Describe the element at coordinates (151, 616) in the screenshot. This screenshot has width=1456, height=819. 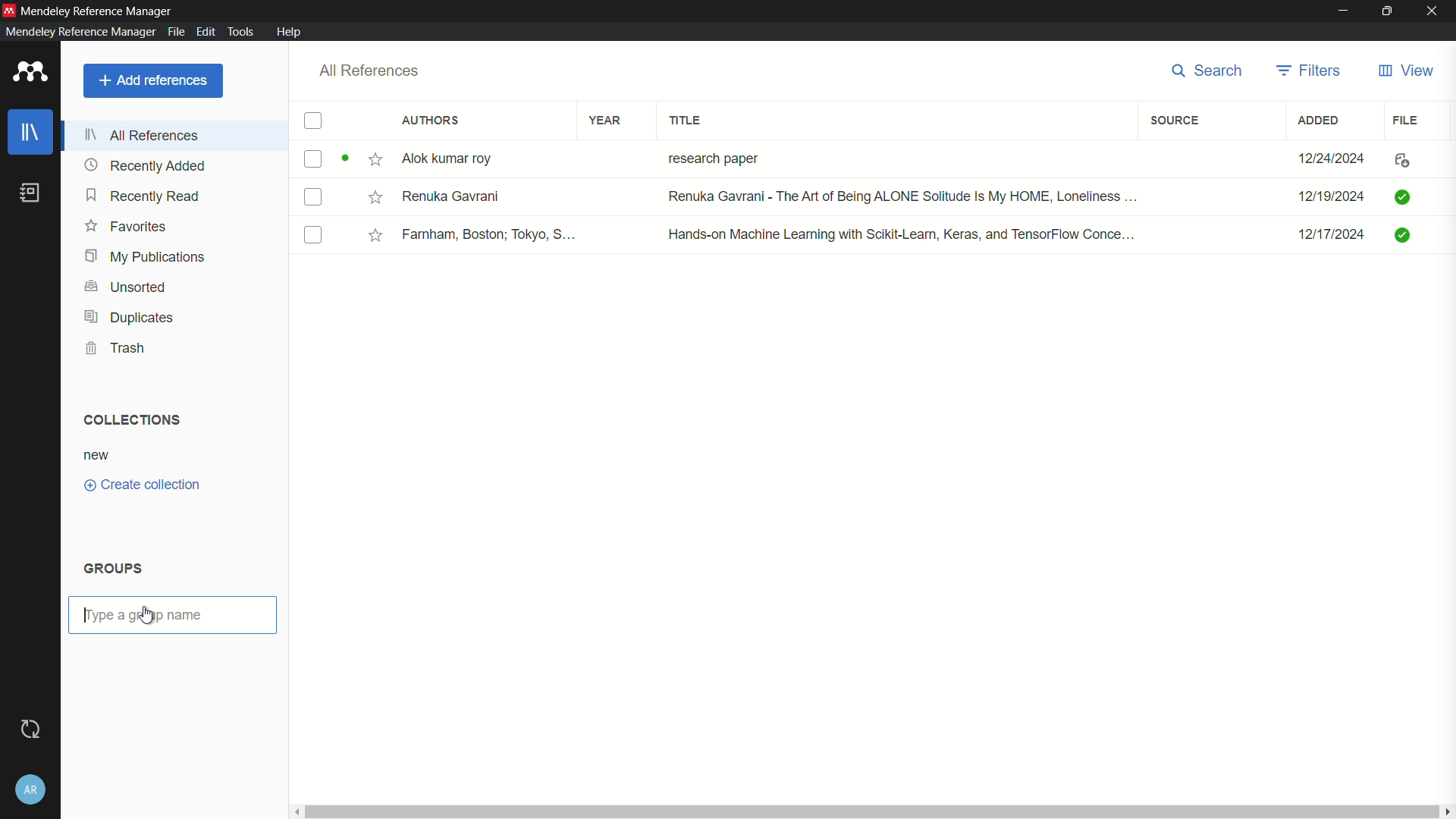
I see `cursor` at that location.